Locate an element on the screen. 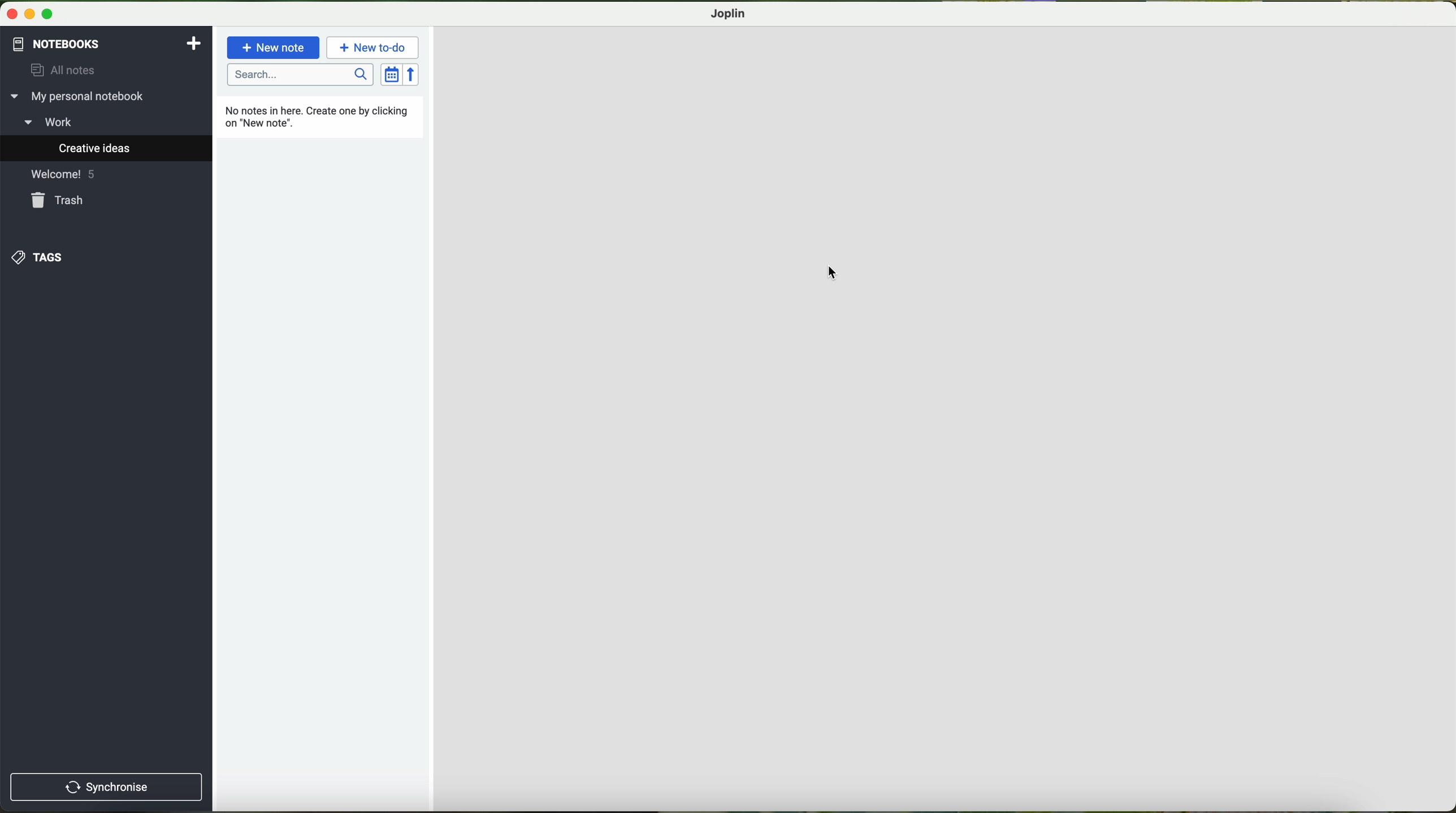  maximize is located at coordinates (47, 15).